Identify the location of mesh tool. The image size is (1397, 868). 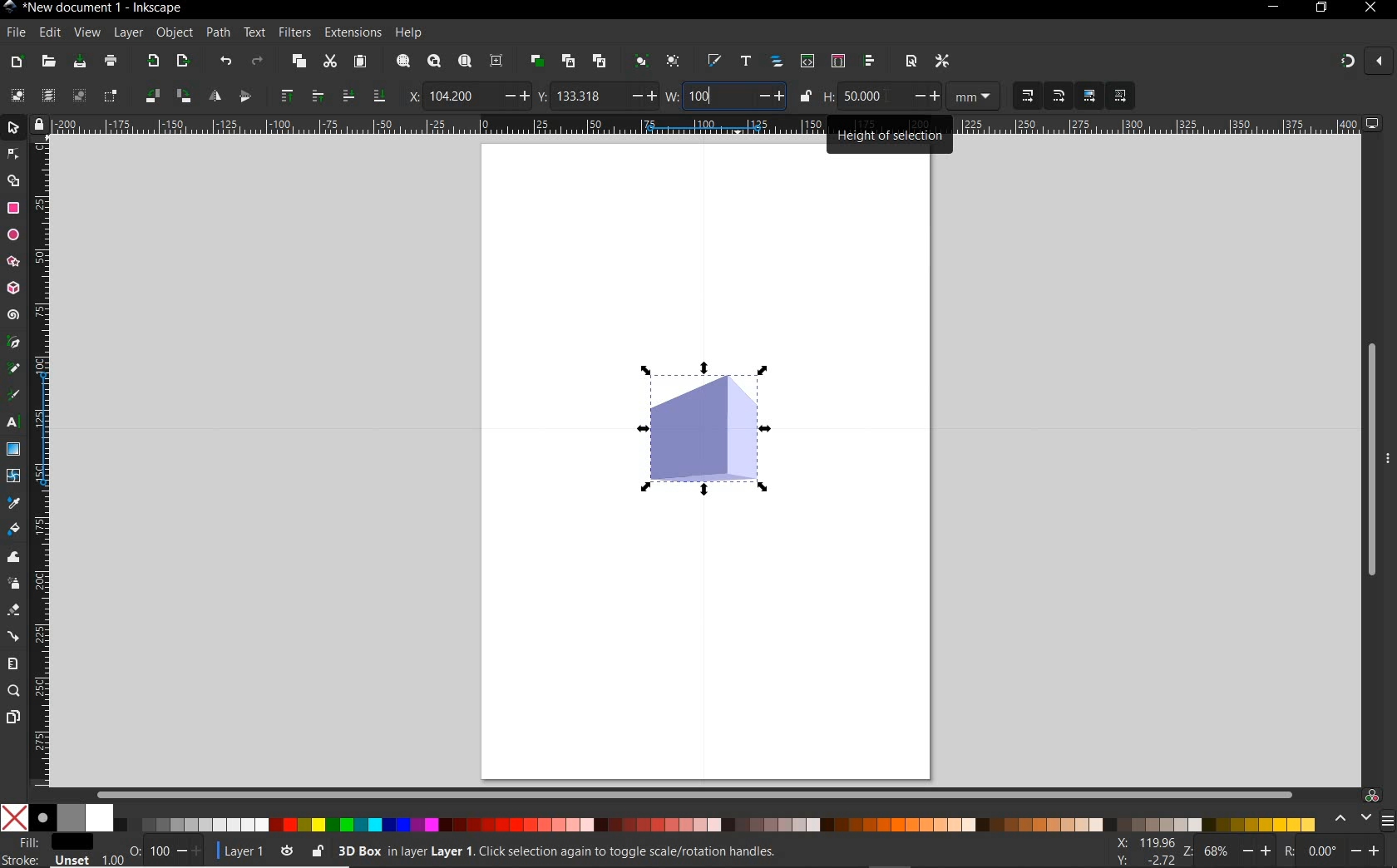
(14, 477).